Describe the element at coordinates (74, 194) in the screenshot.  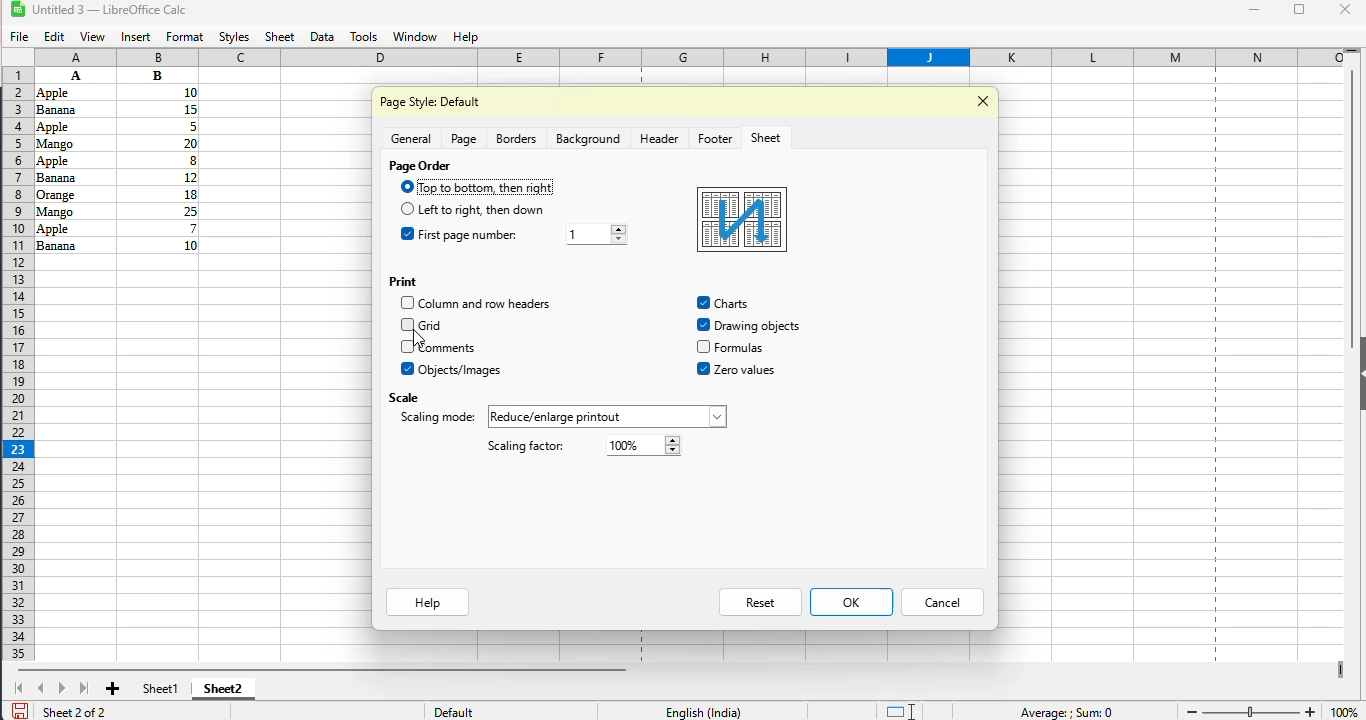
I see `` at that location.